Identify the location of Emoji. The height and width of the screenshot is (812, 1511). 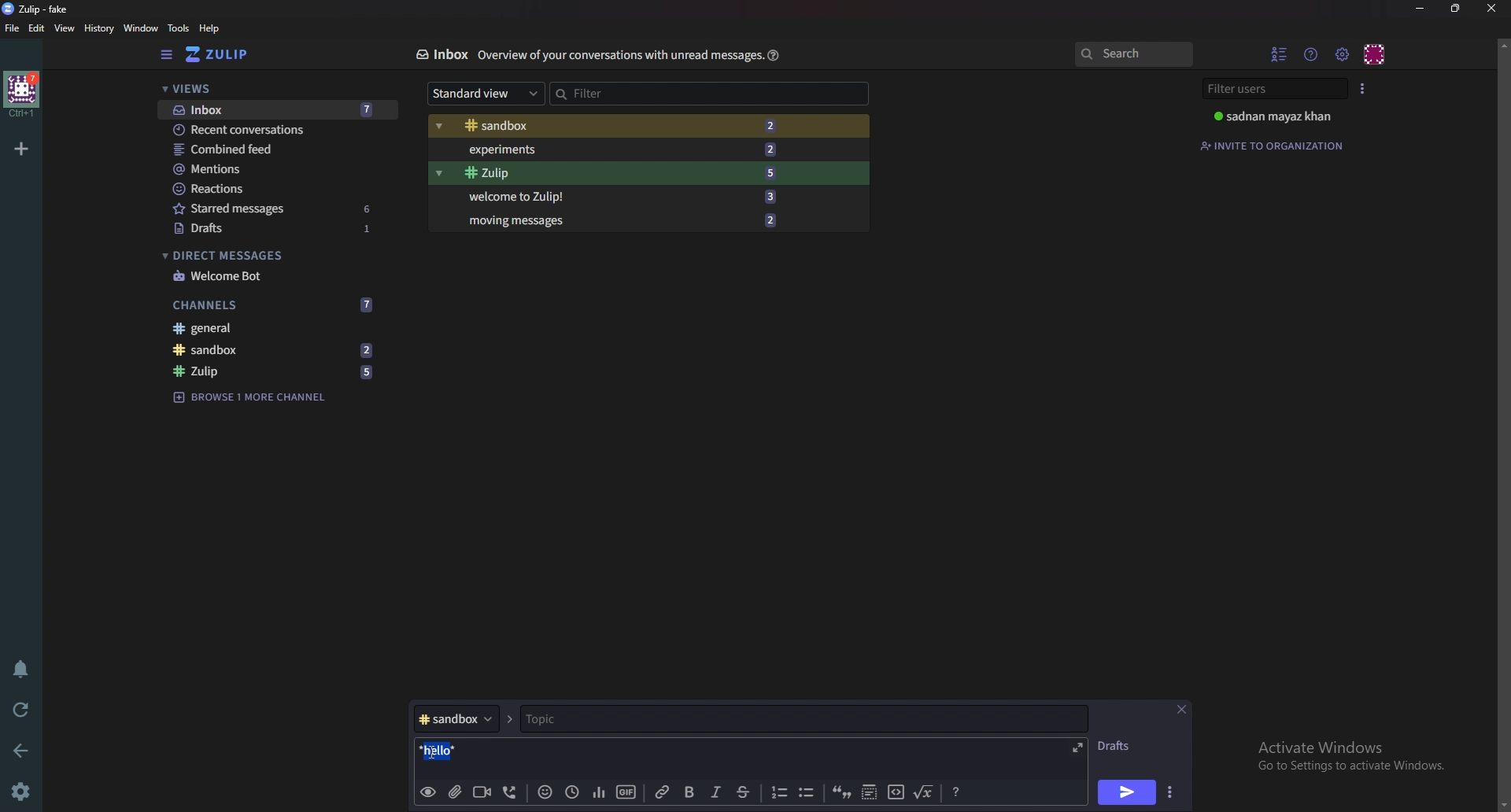
(547, 792).